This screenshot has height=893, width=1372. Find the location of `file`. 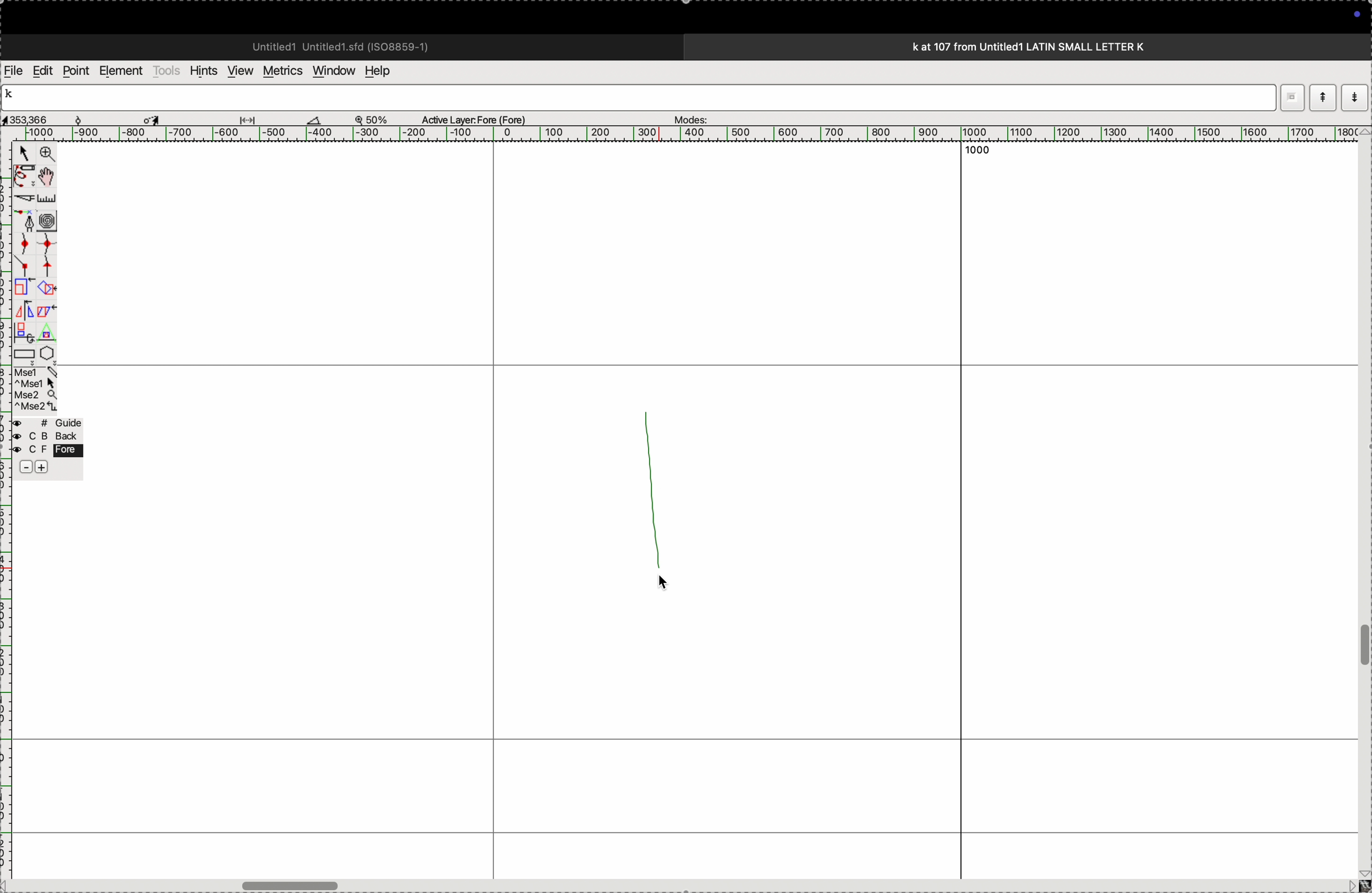

file is located at coordinates (14, 71).